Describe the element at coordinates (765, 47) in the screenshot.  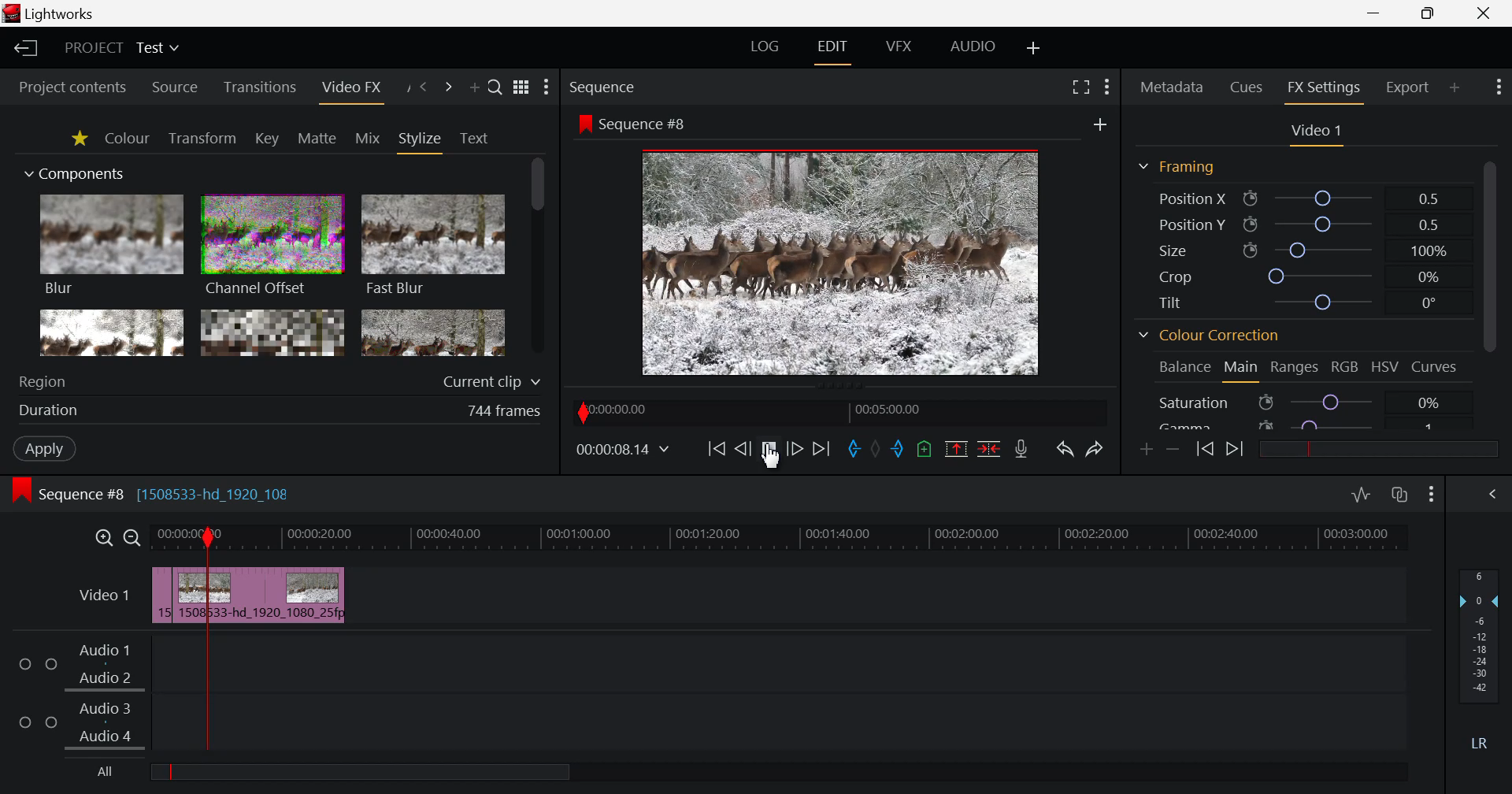
I see `LOG Layout` at that location.